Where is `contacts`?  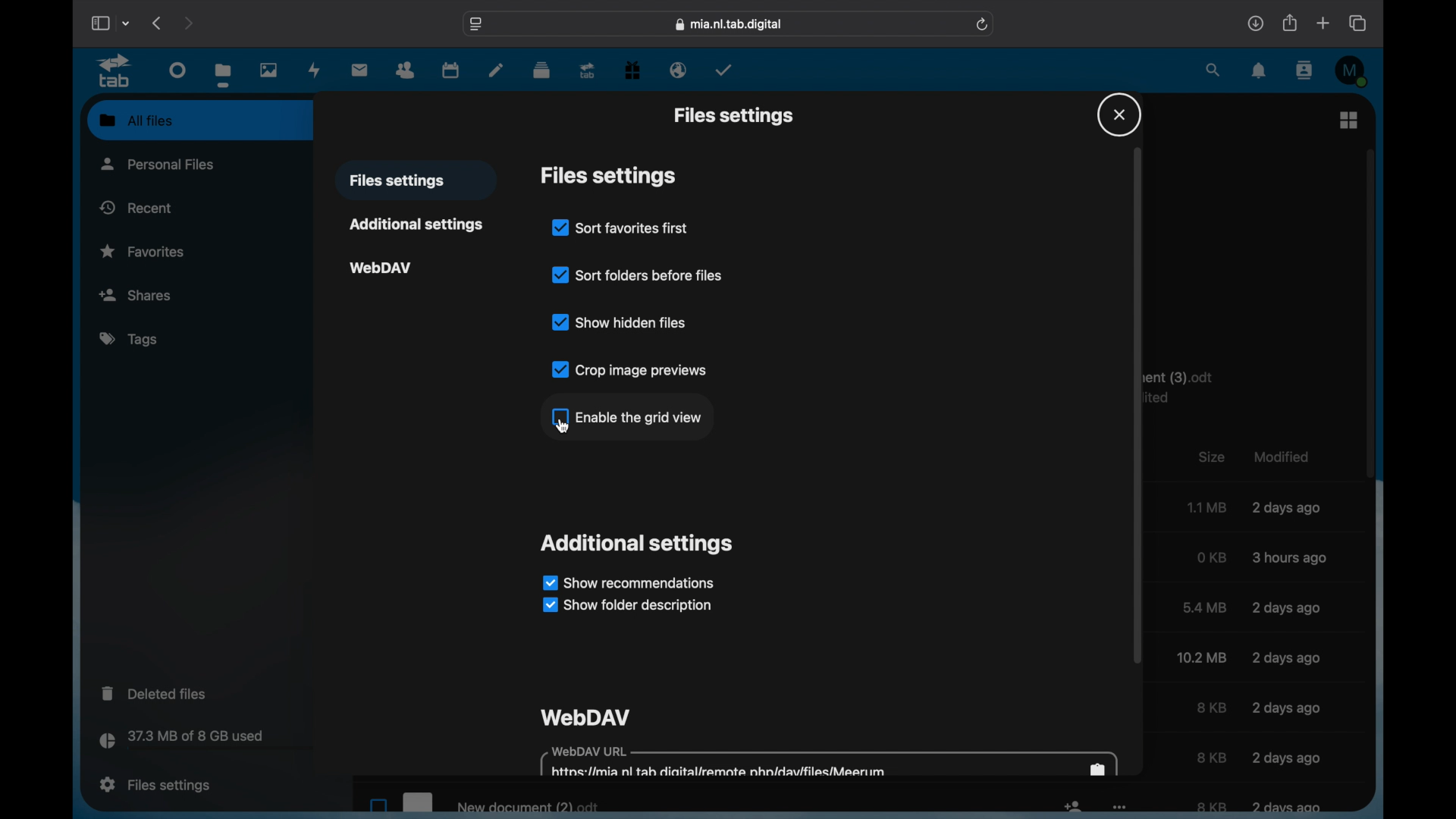
contacts is located at coordinates (1306, 70).